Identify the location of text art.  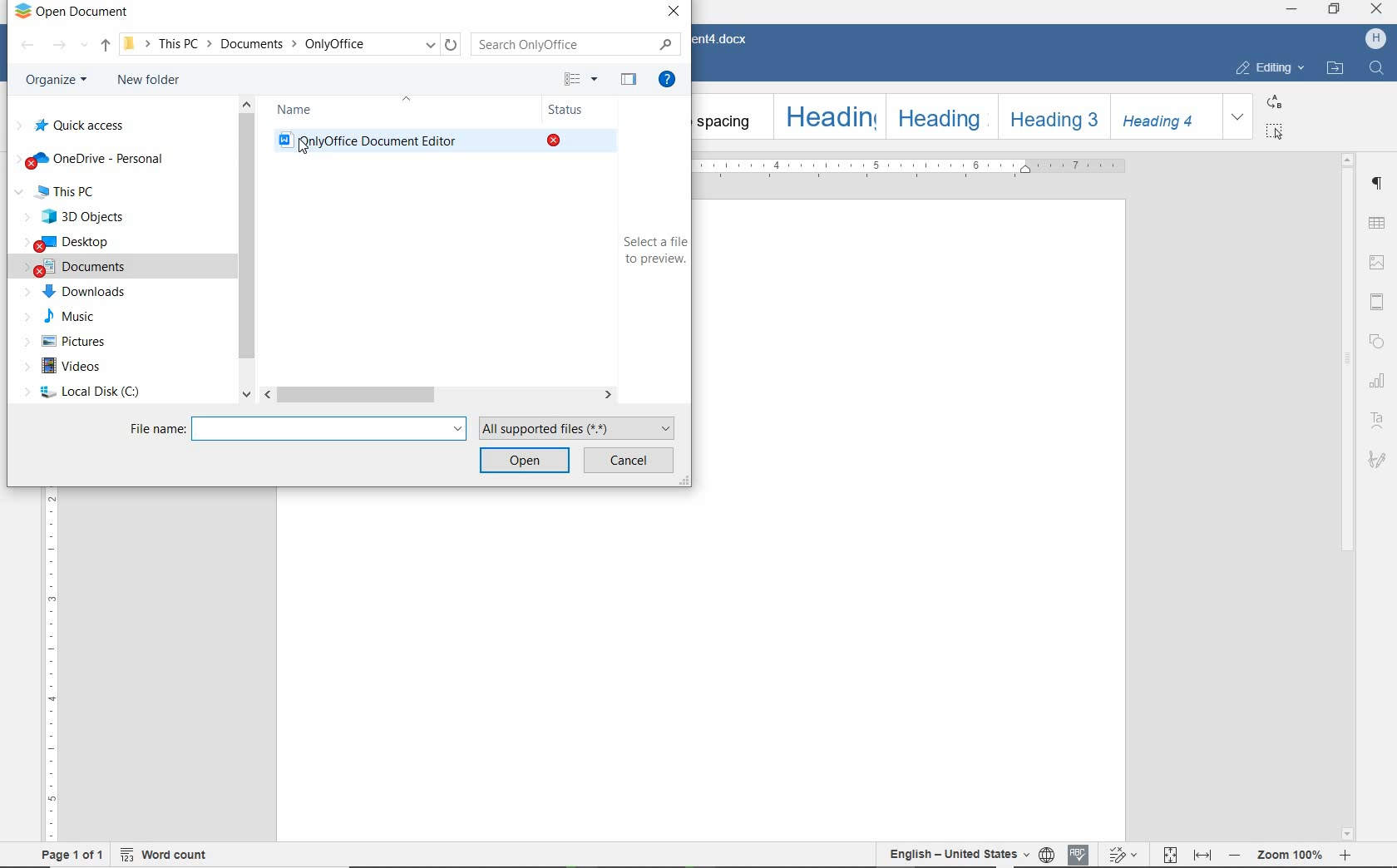
(1380, 420).